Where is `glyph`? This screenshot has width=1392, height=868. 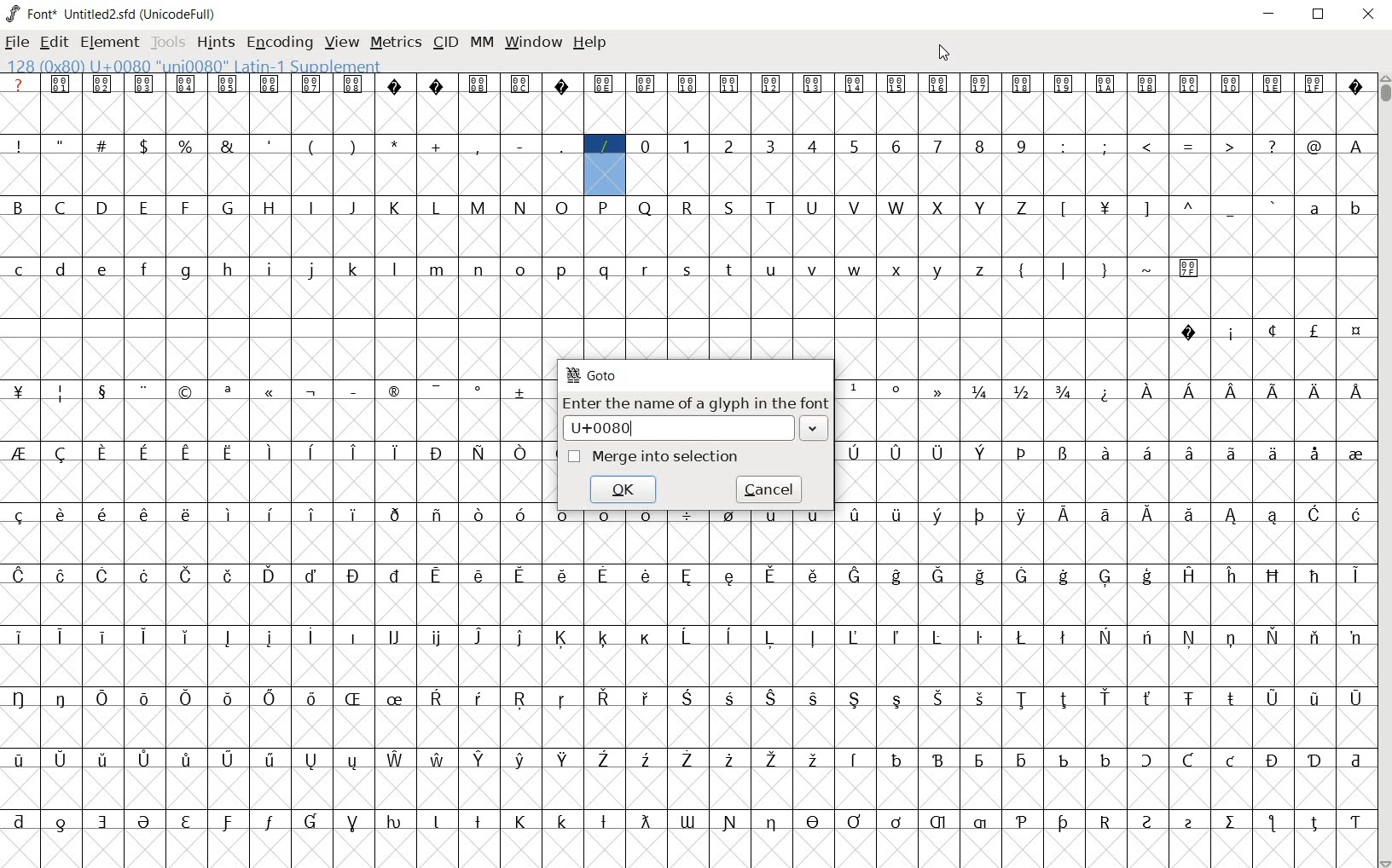
glyph is located at coordinates (353, 824).